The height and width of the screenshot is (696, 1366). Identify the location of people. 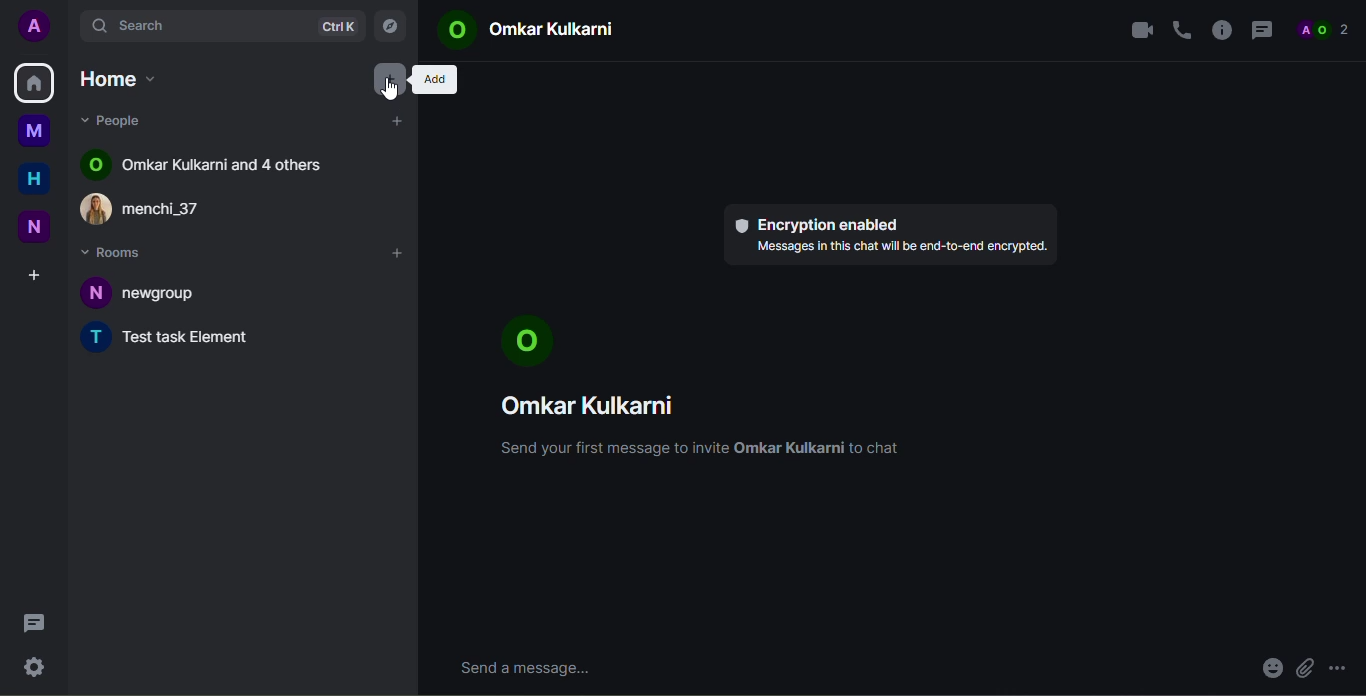
(1324, 28).